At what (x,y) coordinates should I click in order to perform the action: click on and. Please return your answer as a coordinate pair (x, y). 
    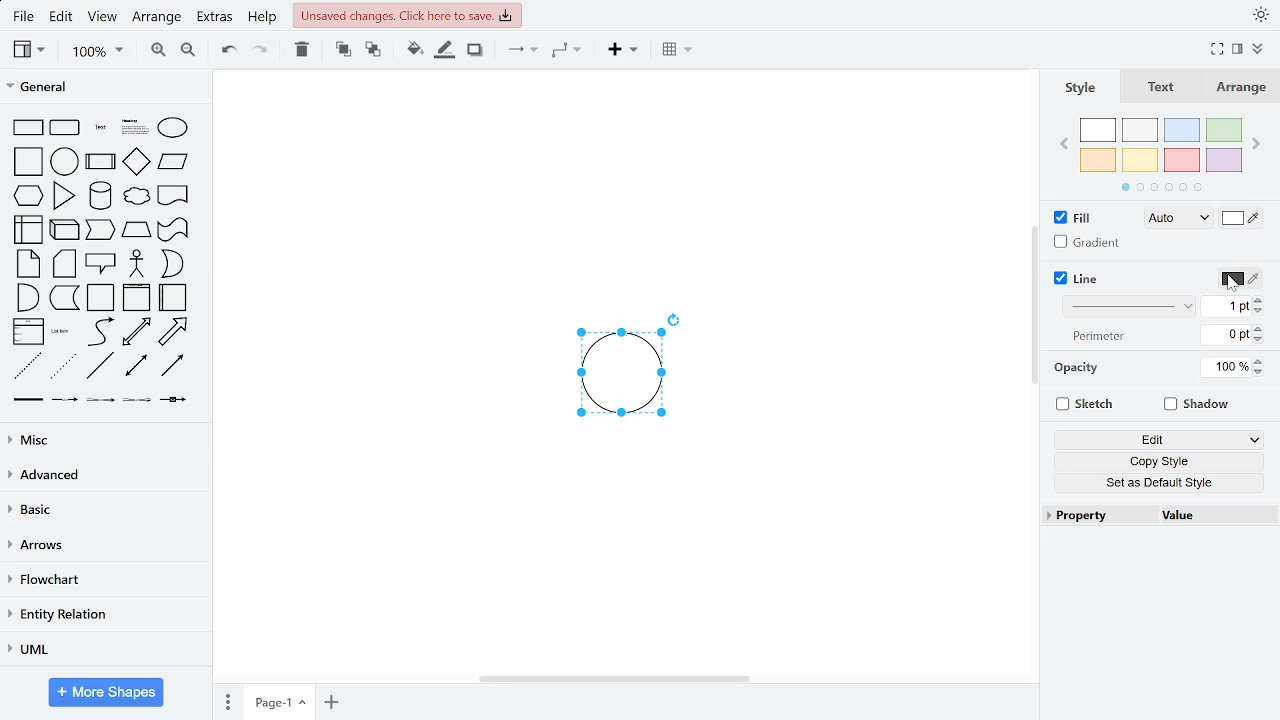
    Looking at the image, I should click on (27, 297).